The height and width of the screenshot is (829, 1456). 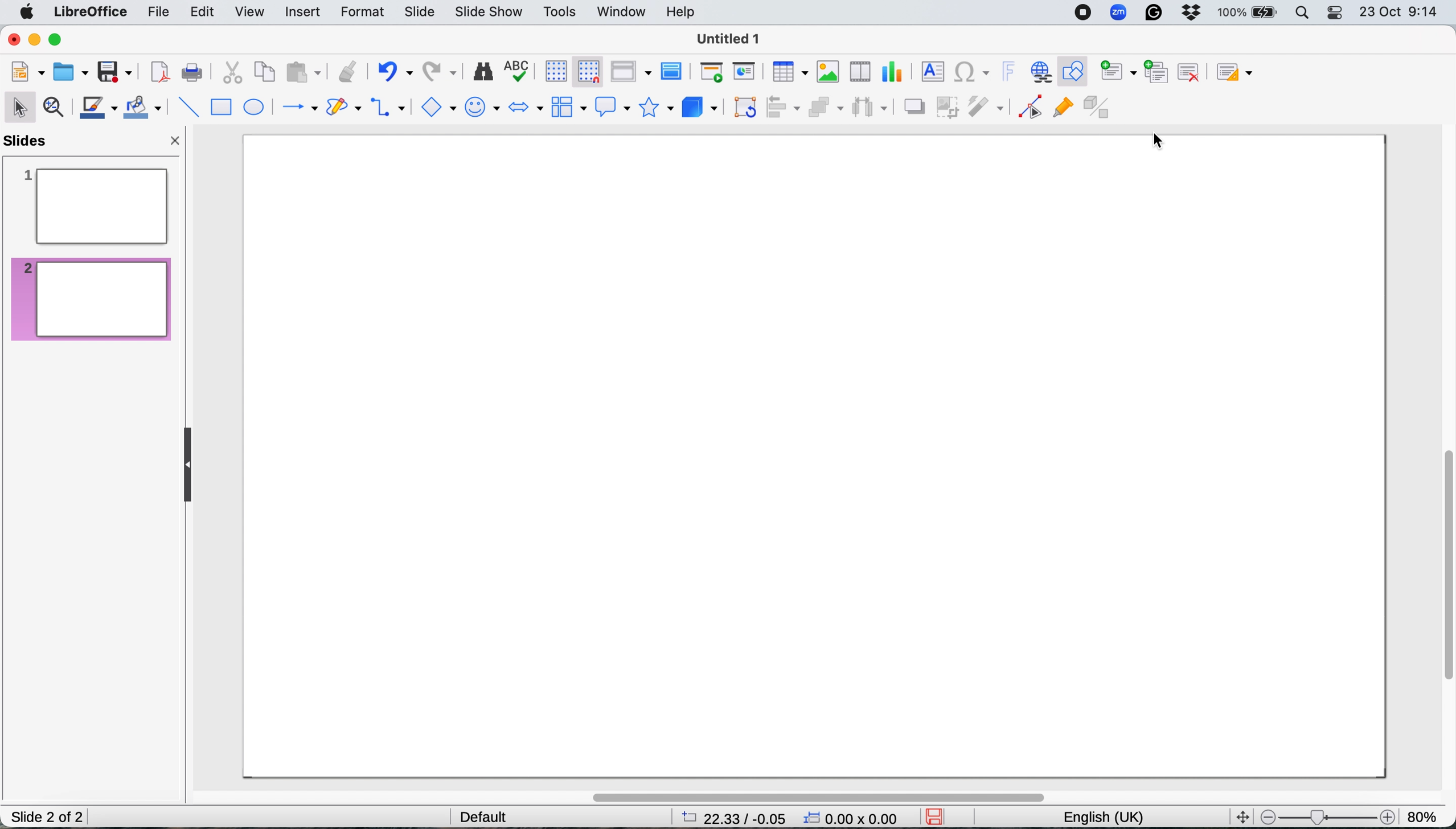 What do you see at coordinates (19, 105) in the screenshot?
I see `selection tool` at bounding box center [19, 105].